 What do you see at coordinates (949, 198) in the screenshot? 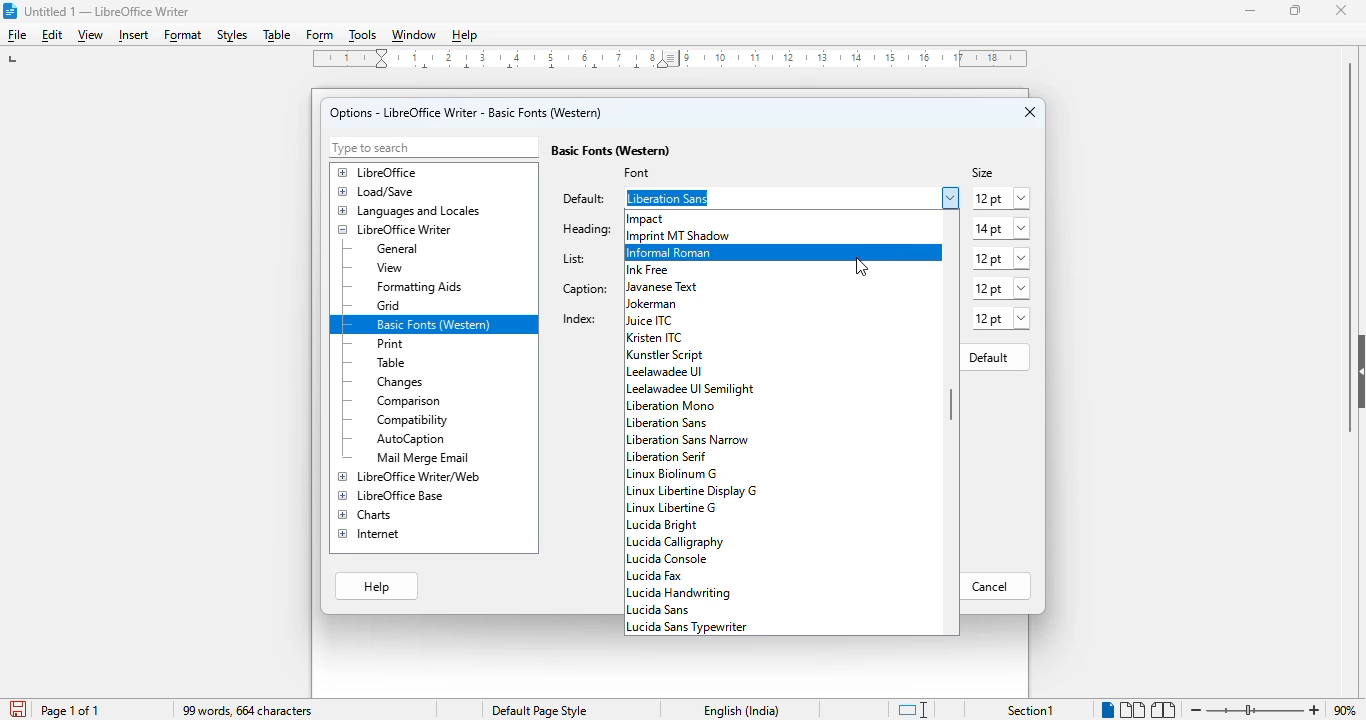
I see `browse/more options` at bounding box center [949, 198].